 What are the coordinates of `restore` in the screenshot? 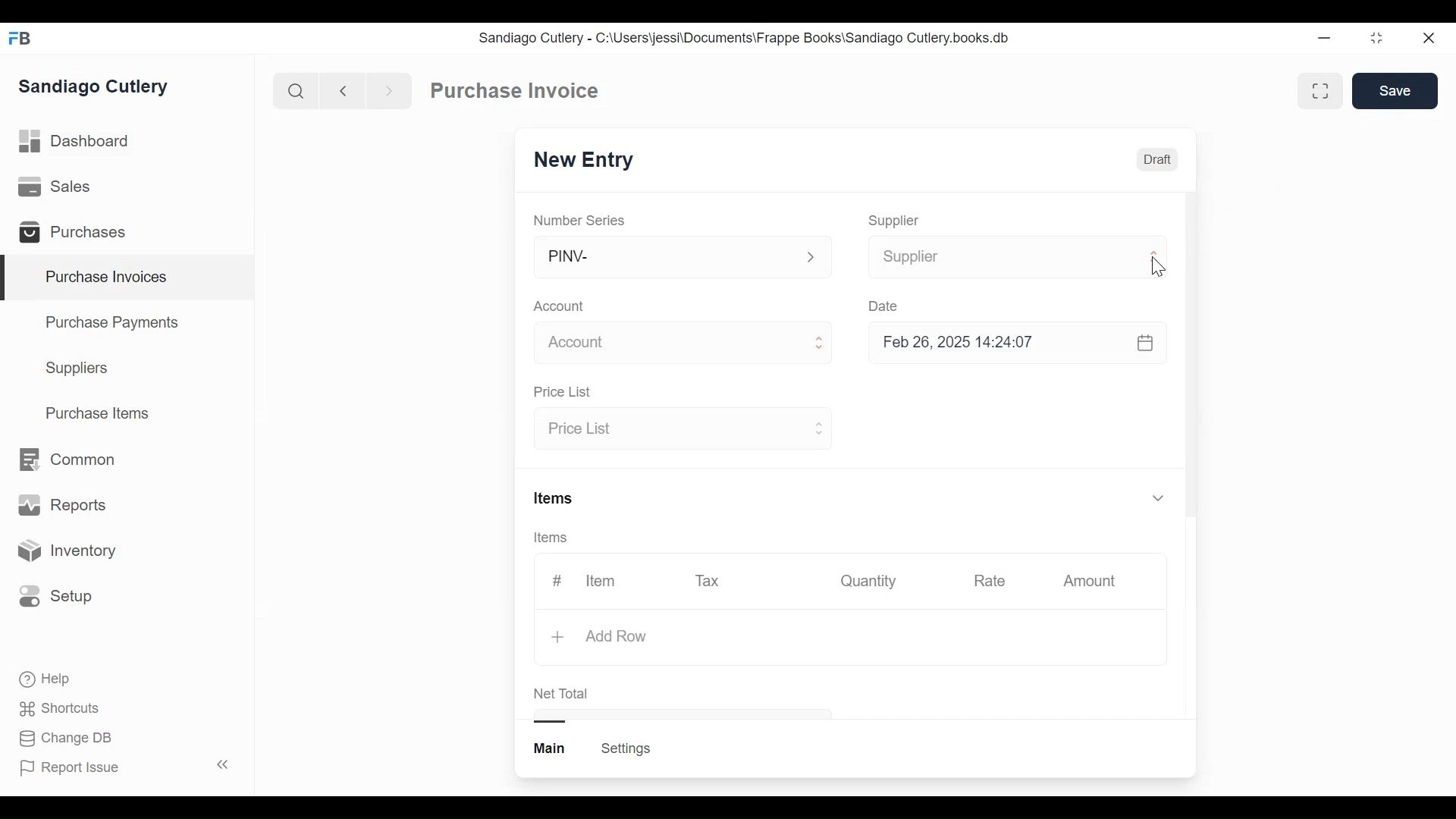 It's located at (1375, 39).